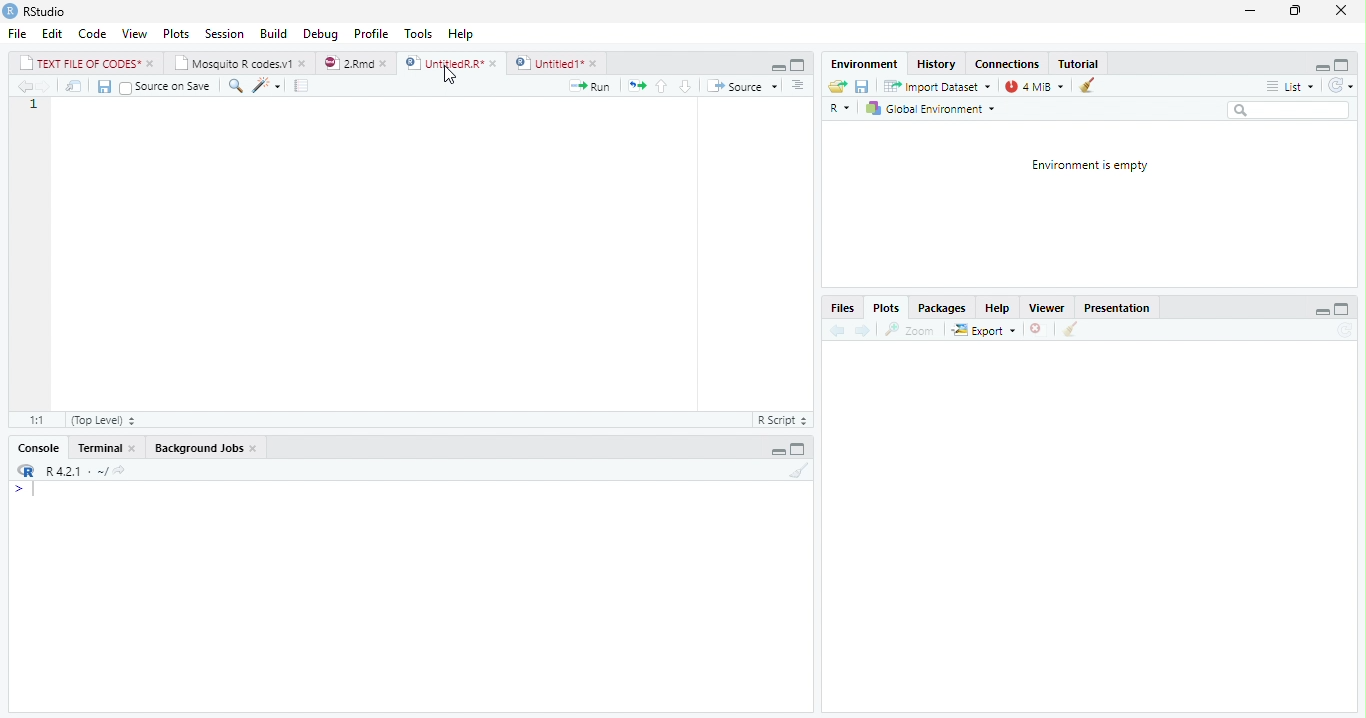 Image resolution: width=1366 pixels, height=718 pixels. I want to click on Plots, so click(888, 309).